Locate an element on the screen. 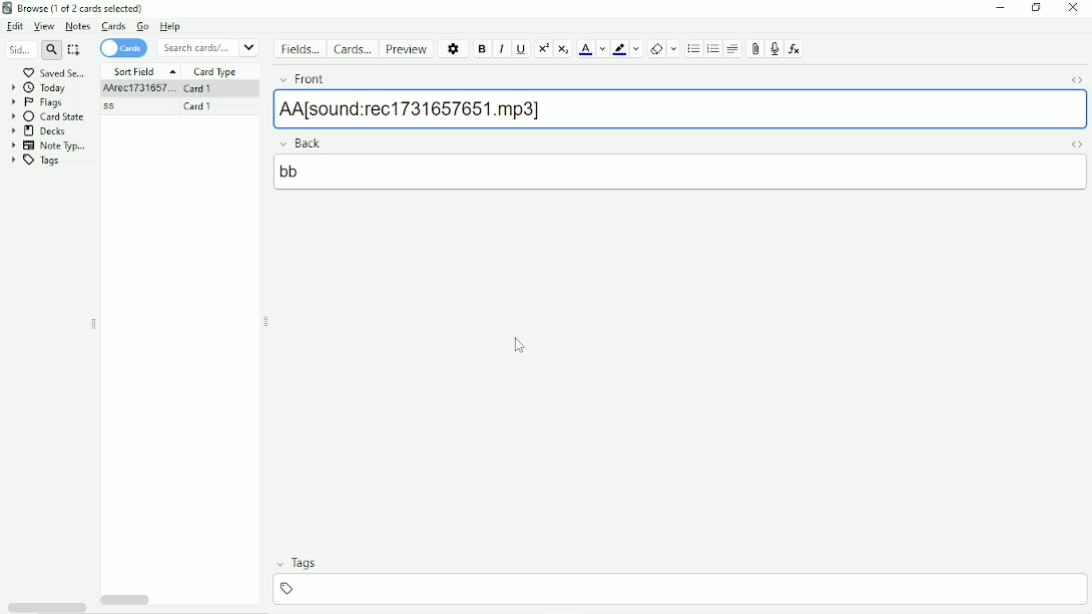  Cursor is located at coordinates (777, 67).